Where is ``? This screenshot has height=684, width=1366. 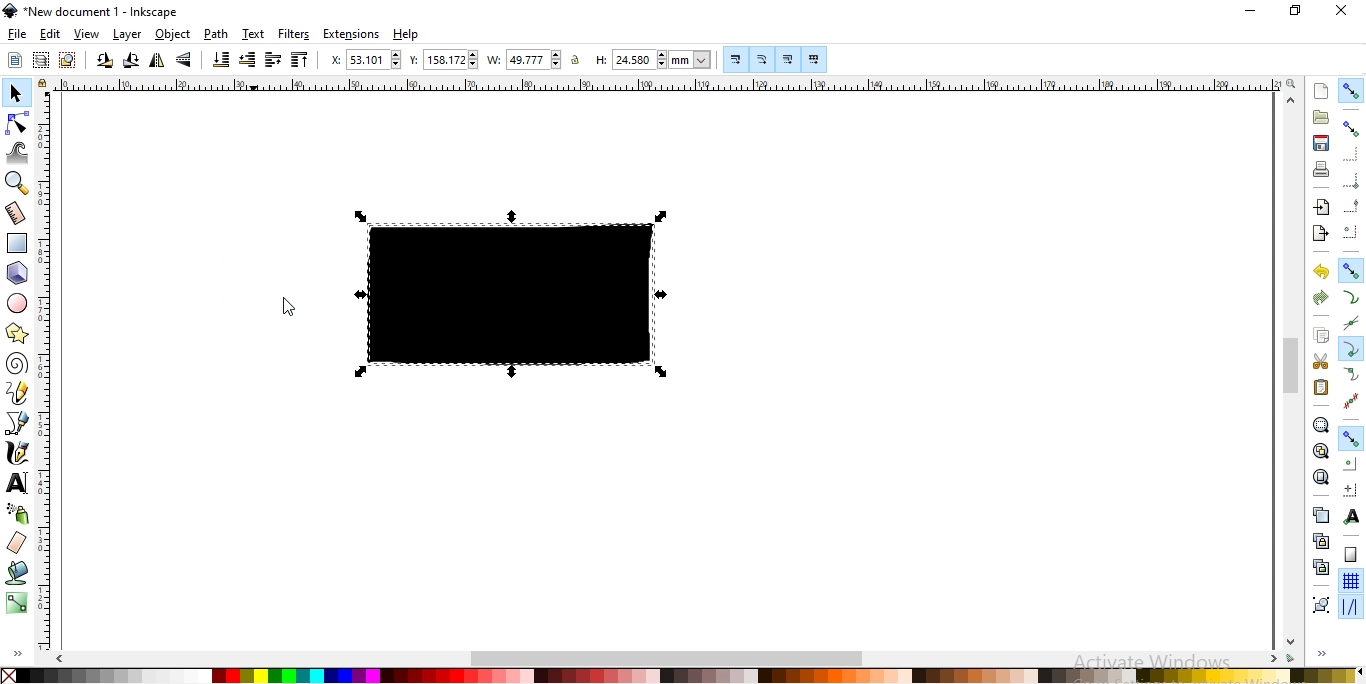  is located at coordinates (764, 58).